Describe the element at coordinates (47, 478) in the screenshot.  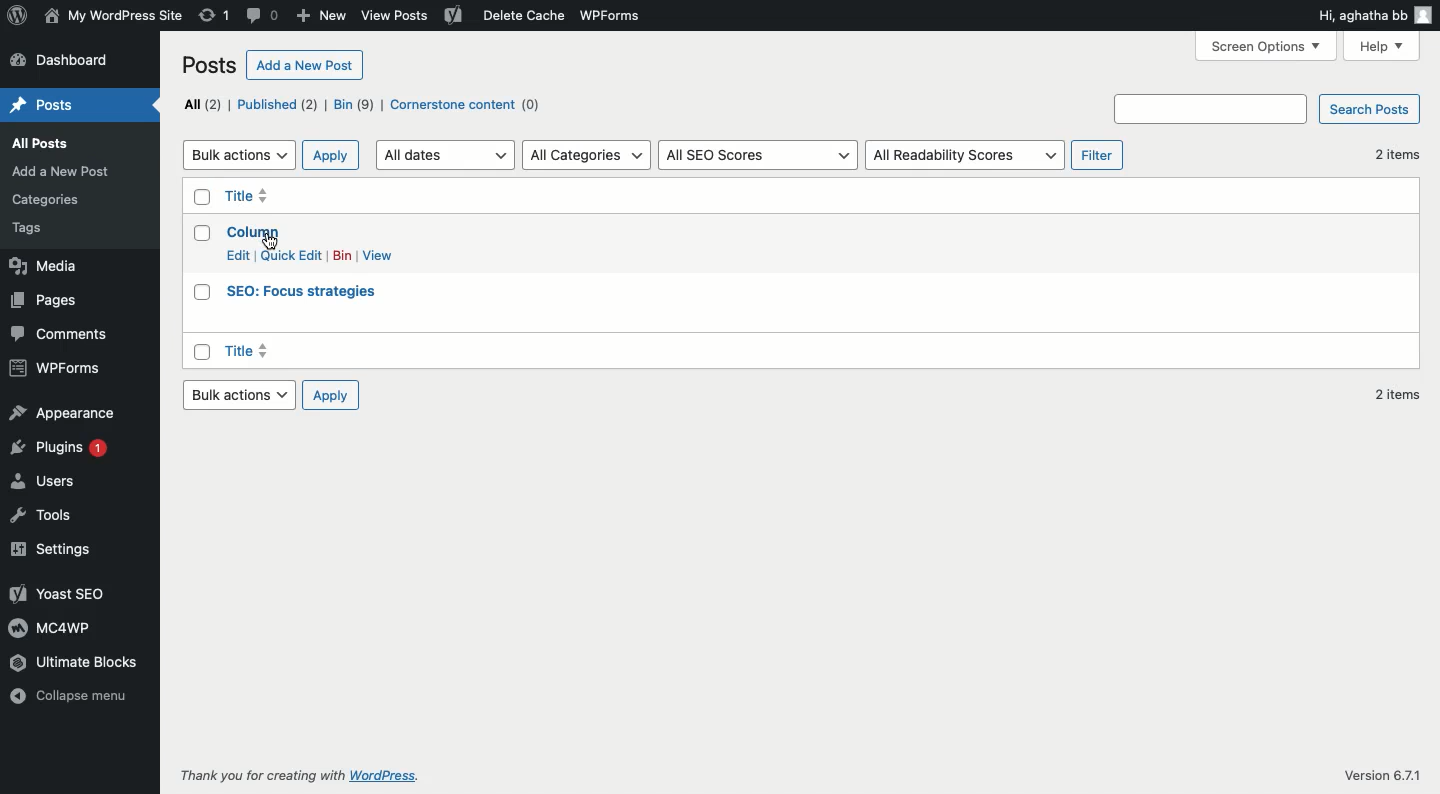
I see `Users` at that location.